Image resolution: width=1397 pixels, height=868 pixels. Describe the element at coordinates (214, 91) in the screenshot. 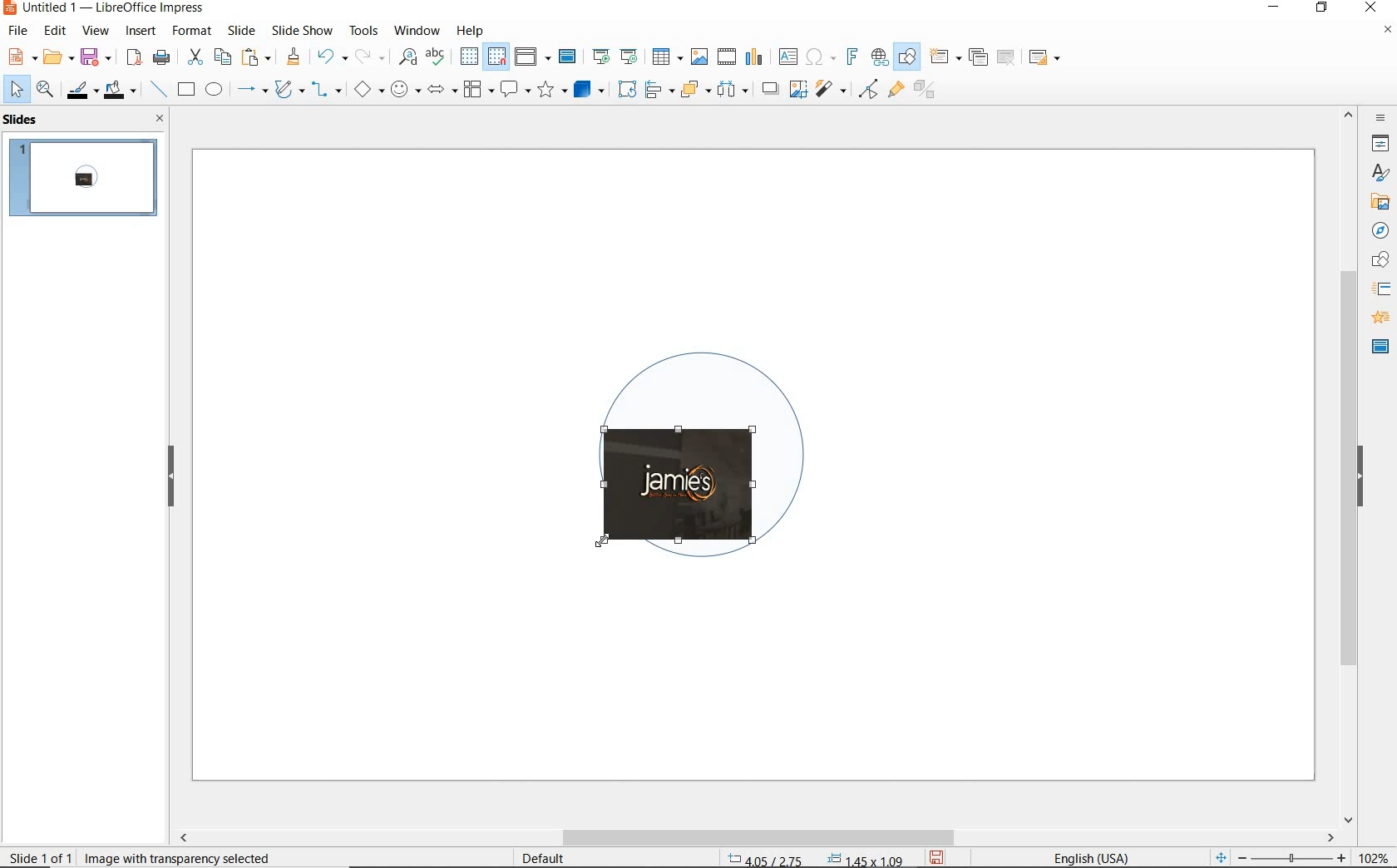

I see `ellipse` at that location.